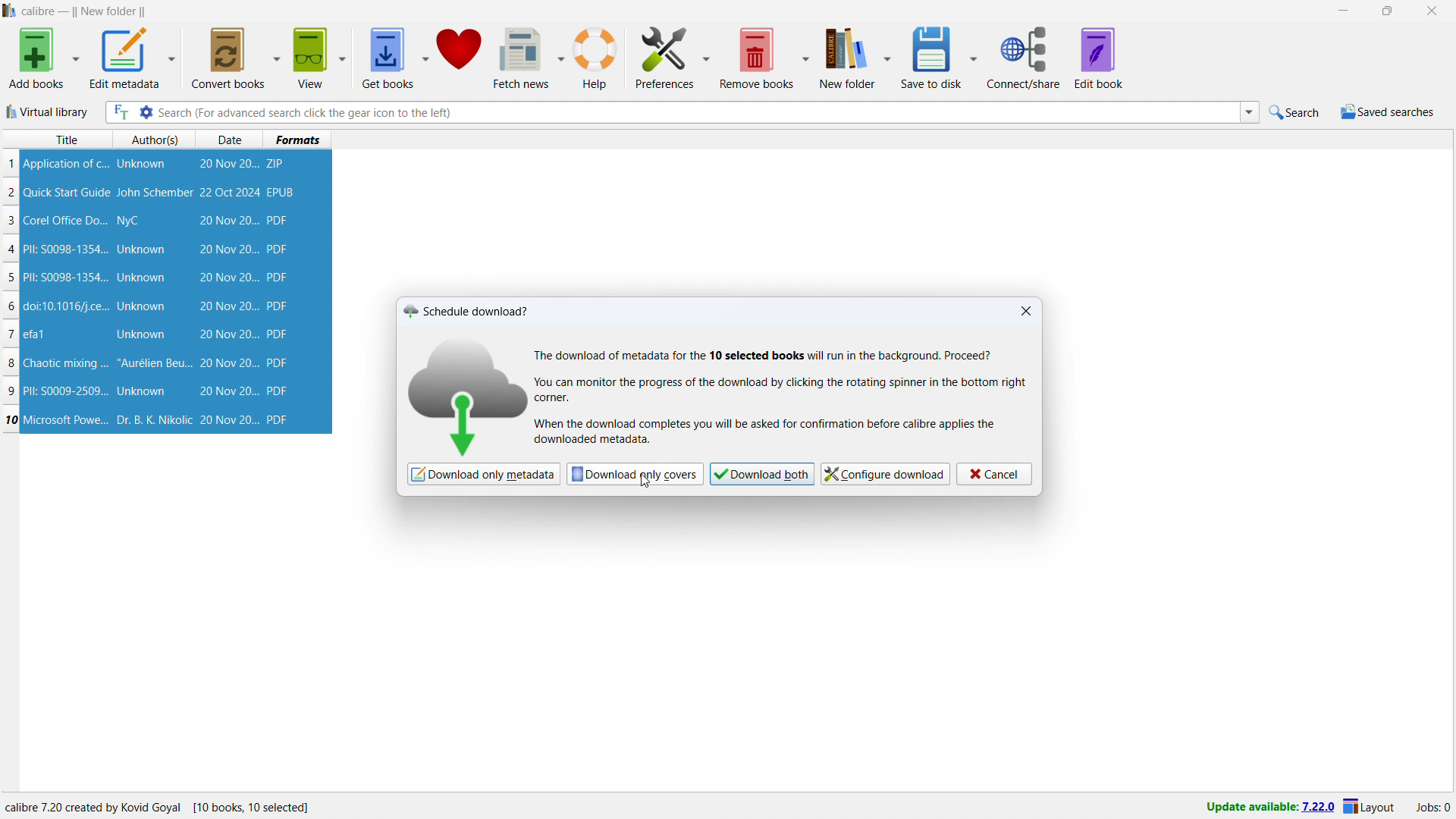 The image size is (1456, 819). What do you see at coordinates (459, 58) in the screenshot?
I see `donate to calibre` at bounding box center [459, 58].